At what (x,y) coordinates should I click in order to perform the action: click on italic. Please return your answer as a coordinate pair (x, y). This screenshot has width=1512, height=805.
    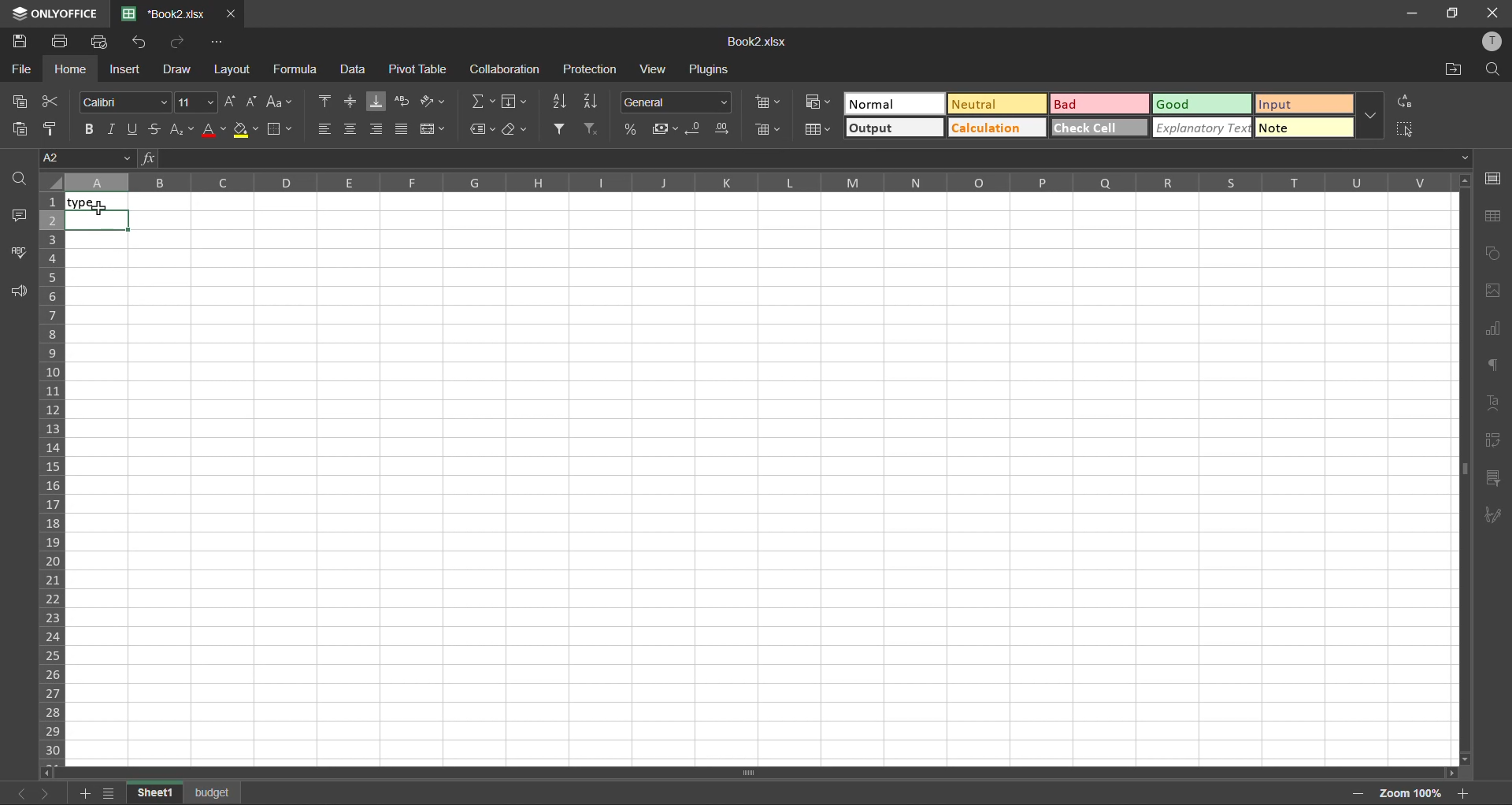
    Looking at the image, I should click on (114, 128).